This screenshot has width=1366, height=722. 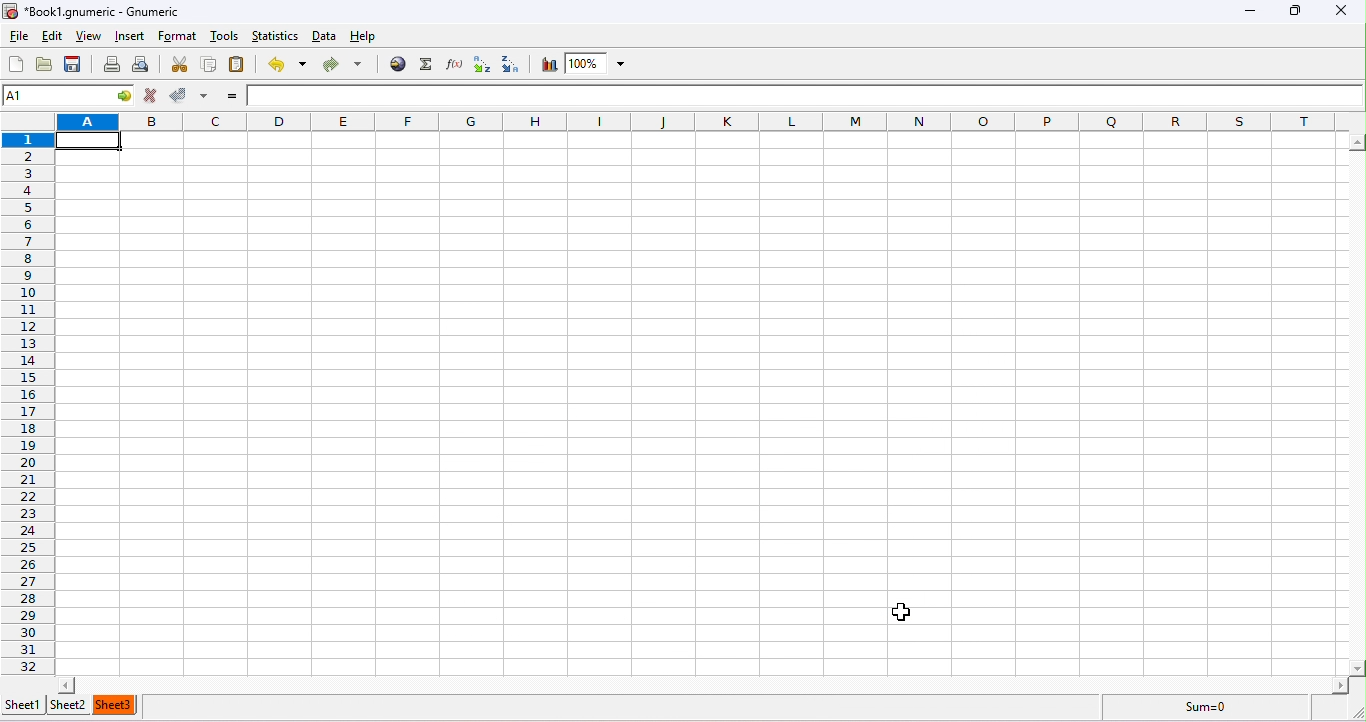 What do you see at coordinates (126, 96) in the screenshot?
I see `go to` at bounding box center [126, 96].